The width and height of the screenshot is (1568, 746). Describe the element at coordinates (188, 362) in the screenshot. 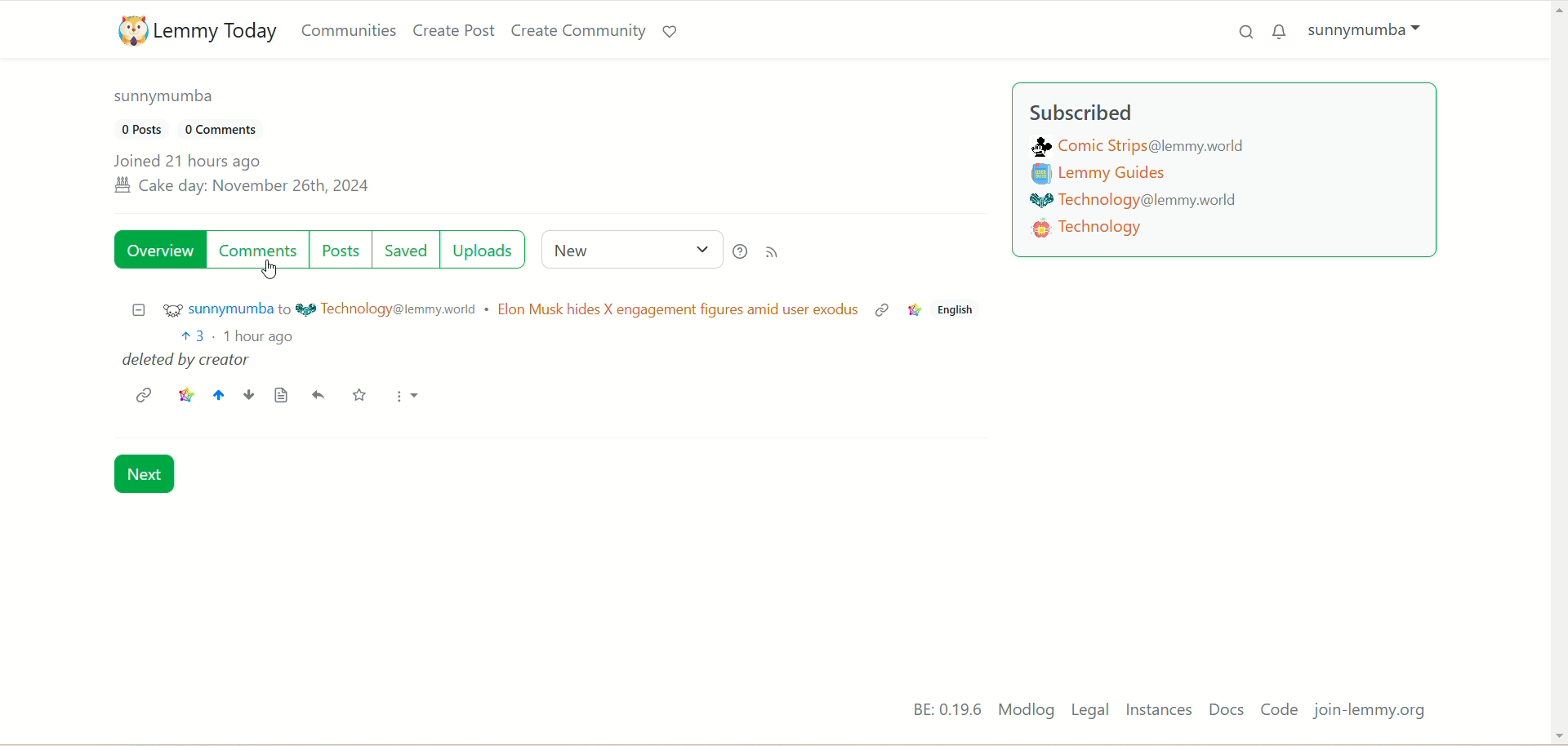

I see `deleted by creator` at that location.